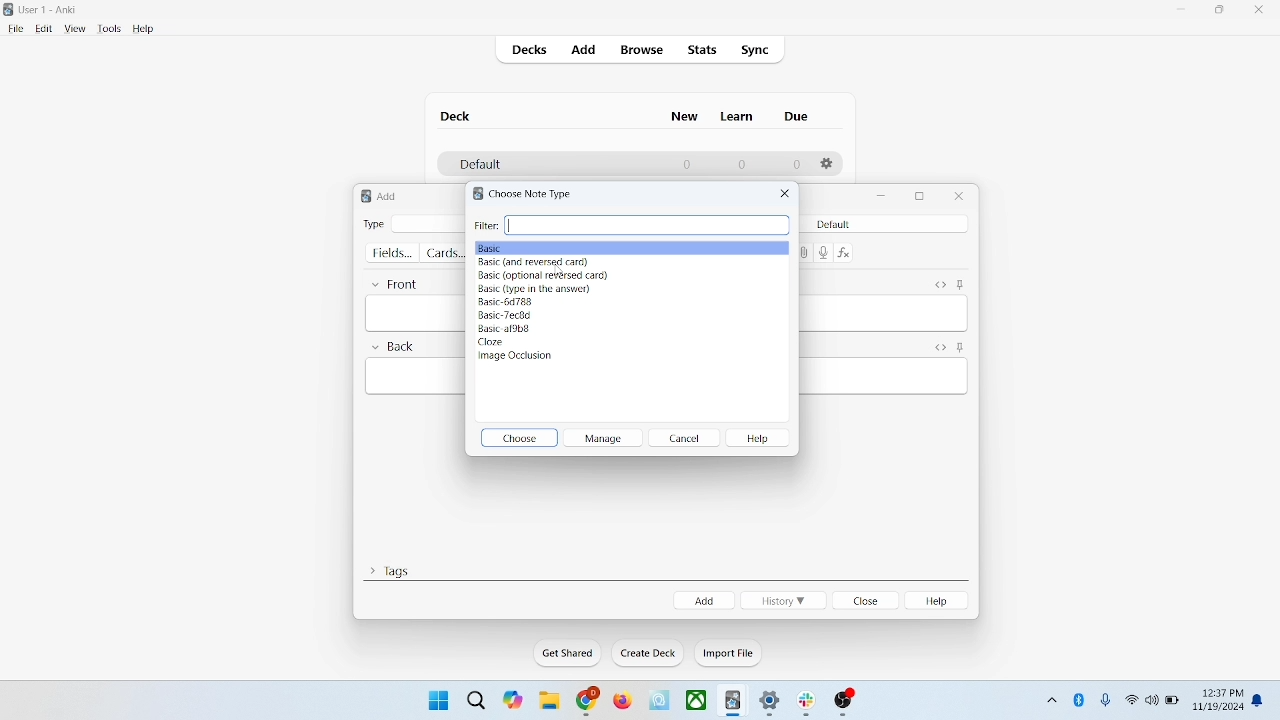 This screenshot has height=720, width=1280. I want to click on Basic-af9b8, so click(507, 329).